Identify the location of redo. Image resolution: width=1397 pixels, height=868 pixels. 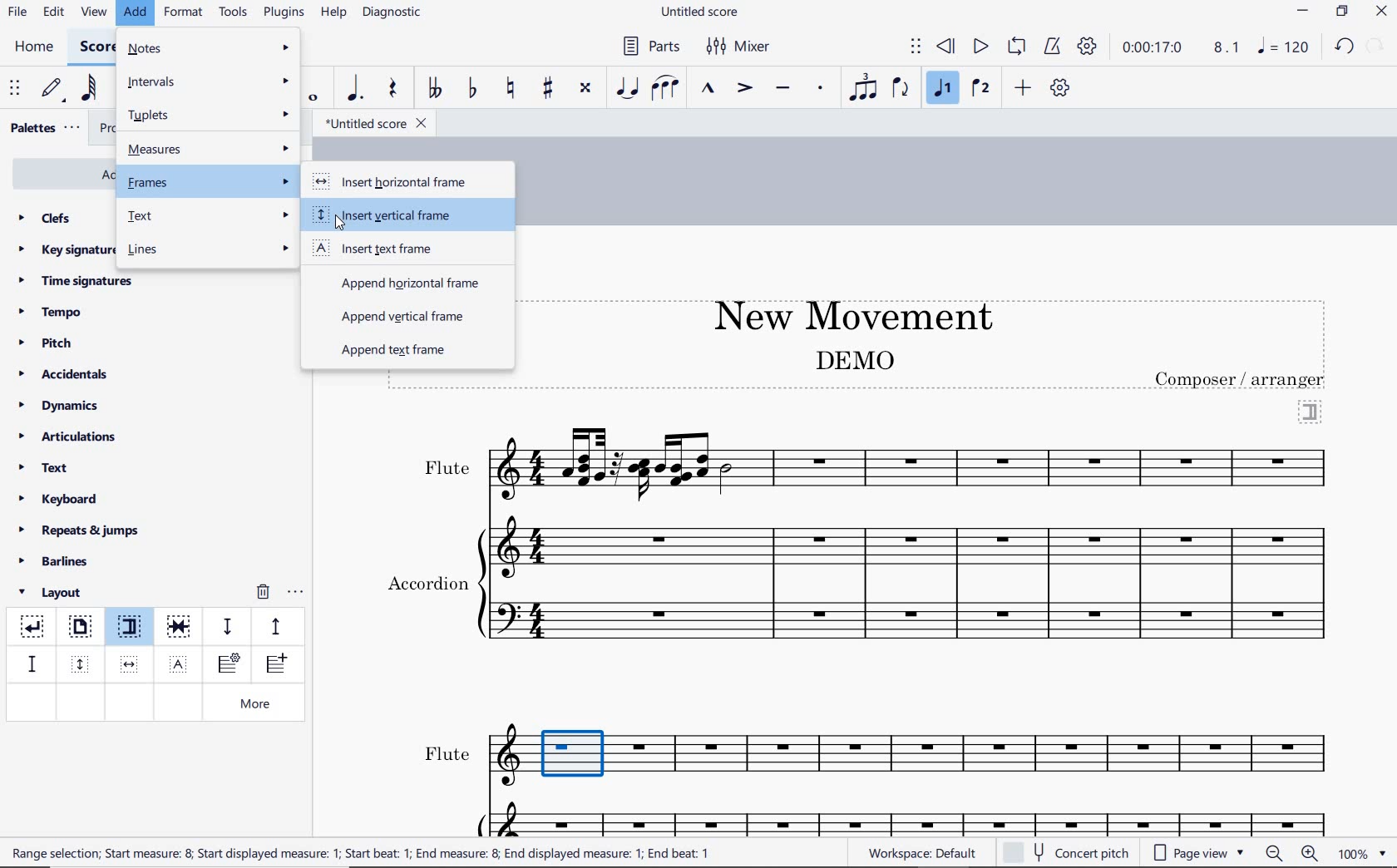
(1344, 46).